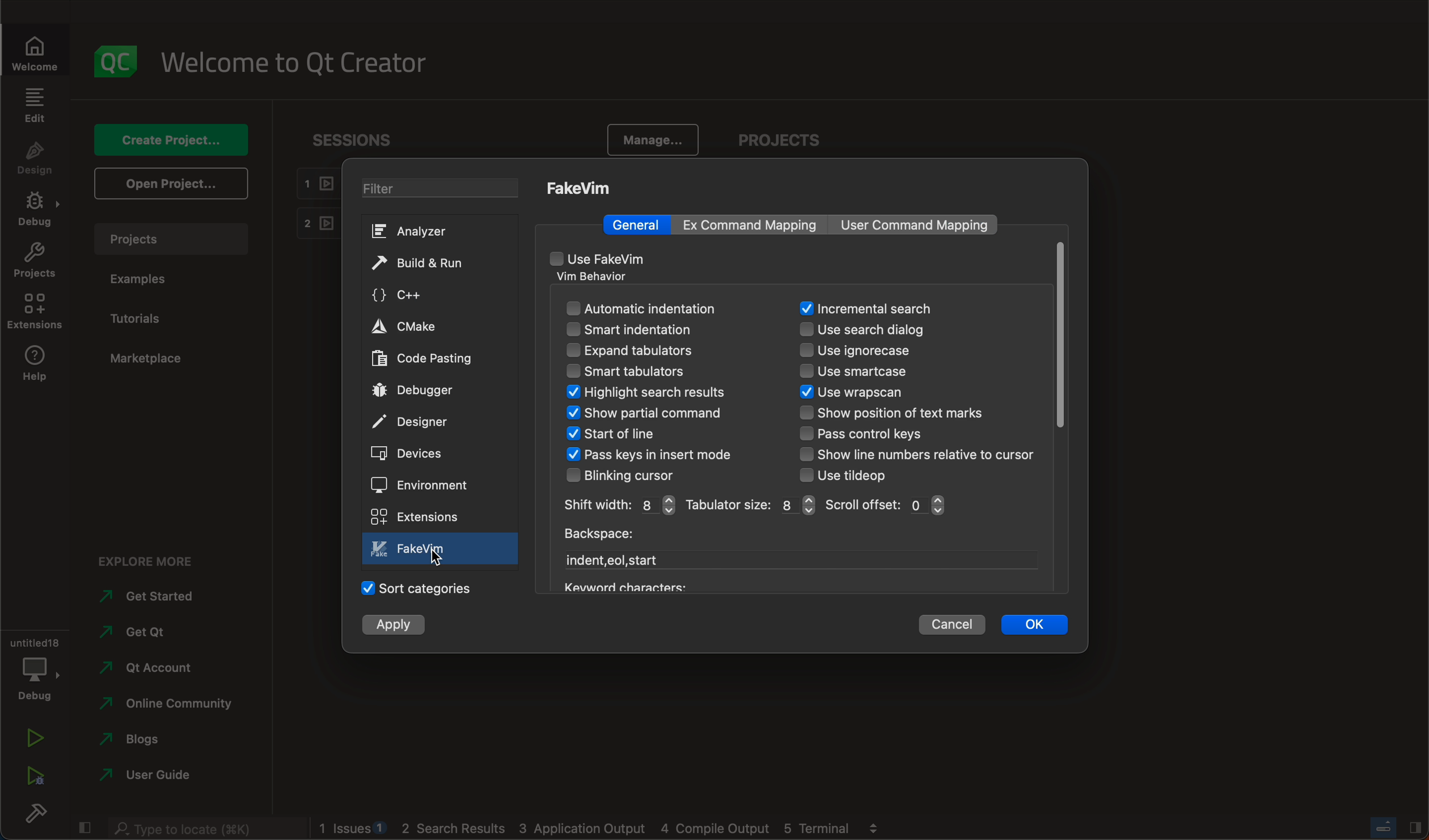  I want to click on vm behaviour , so click(598, 278).